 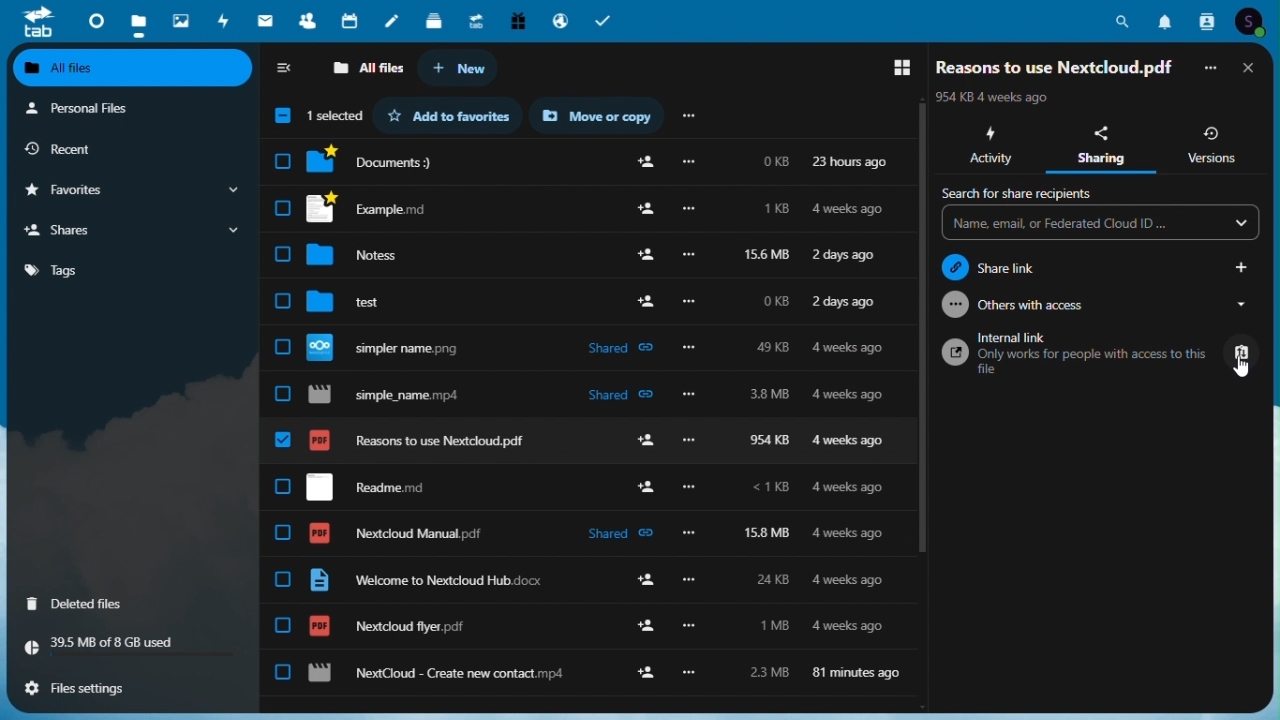 What do you see at coordinates (896, 67) in the screenshot?
I see `switch to grid view` at bounding box center [896, 67].